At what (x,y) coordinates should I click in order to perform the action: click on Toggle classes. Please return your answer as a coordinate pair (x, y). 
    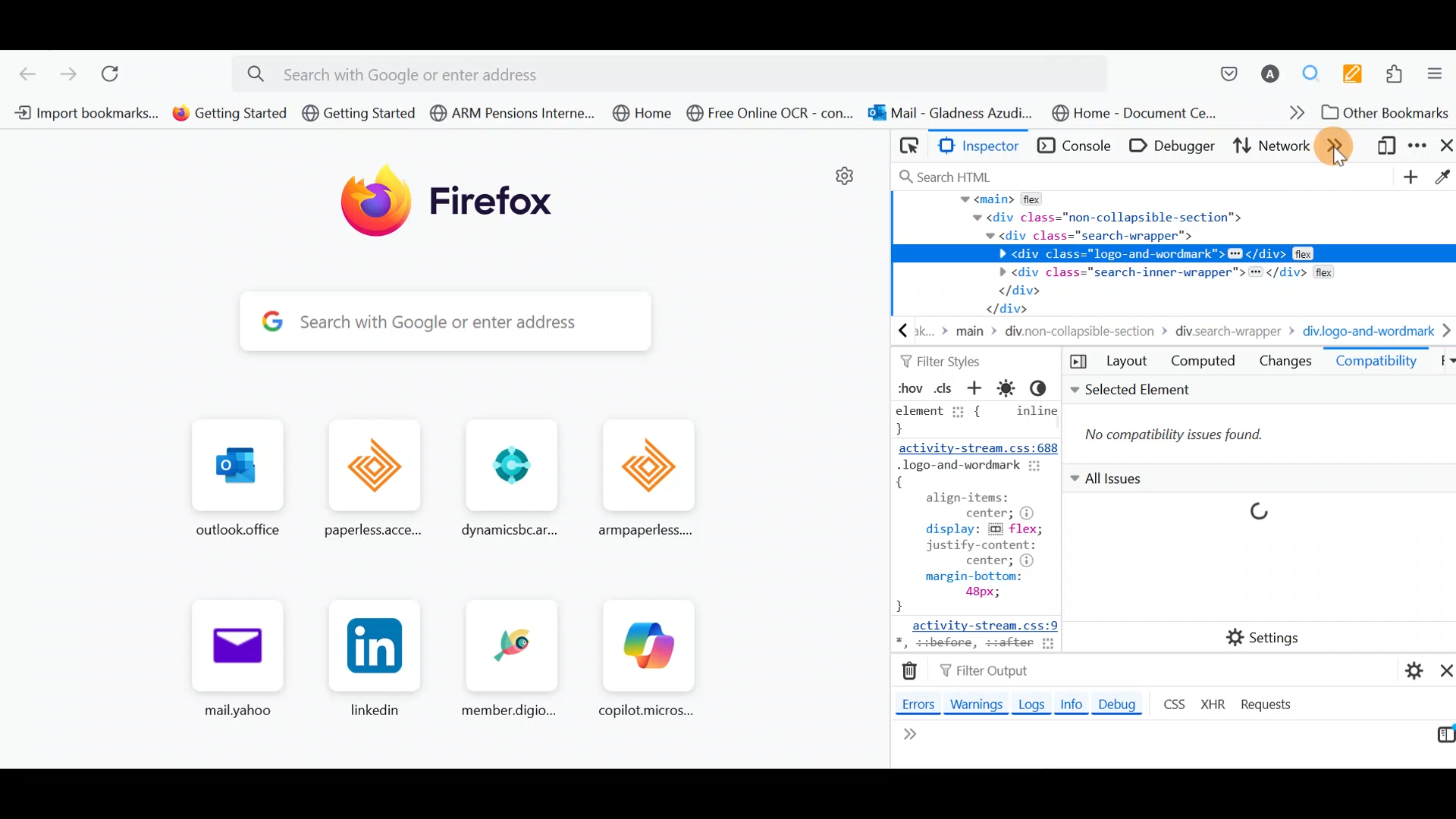
    Looking at the image, I should click on (944, 387).